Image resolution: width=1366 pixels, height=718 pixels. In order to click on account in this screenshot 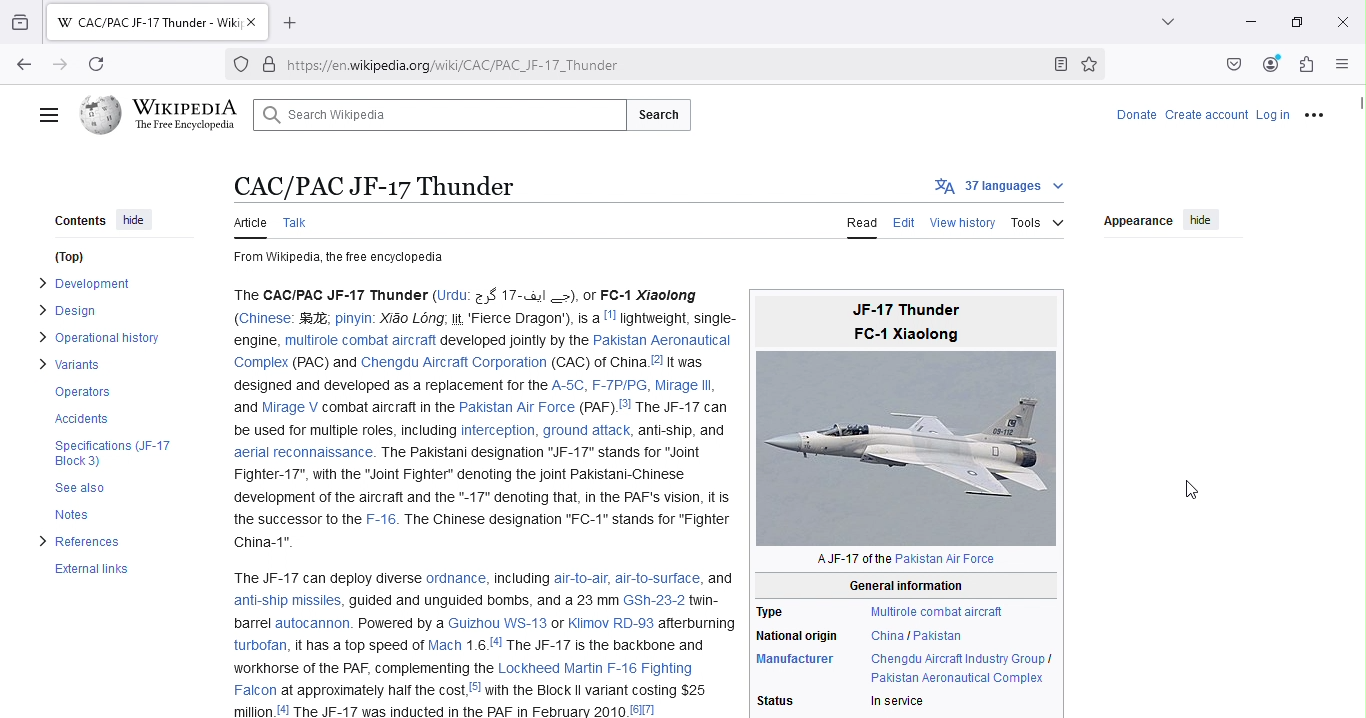, I will do `click(1229, 117)`.